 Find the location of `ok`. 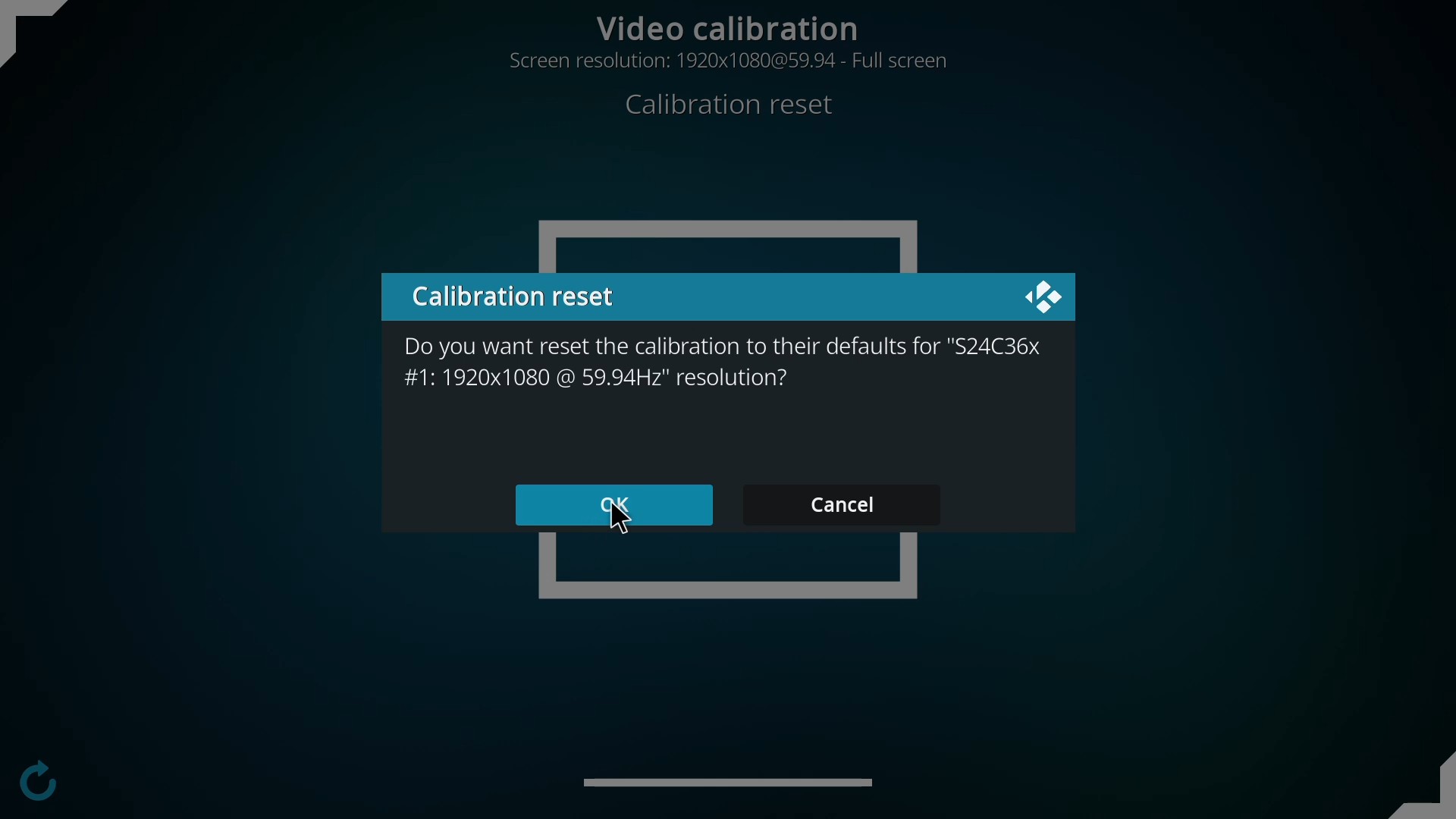

ok is located at coordinates (617, 506).